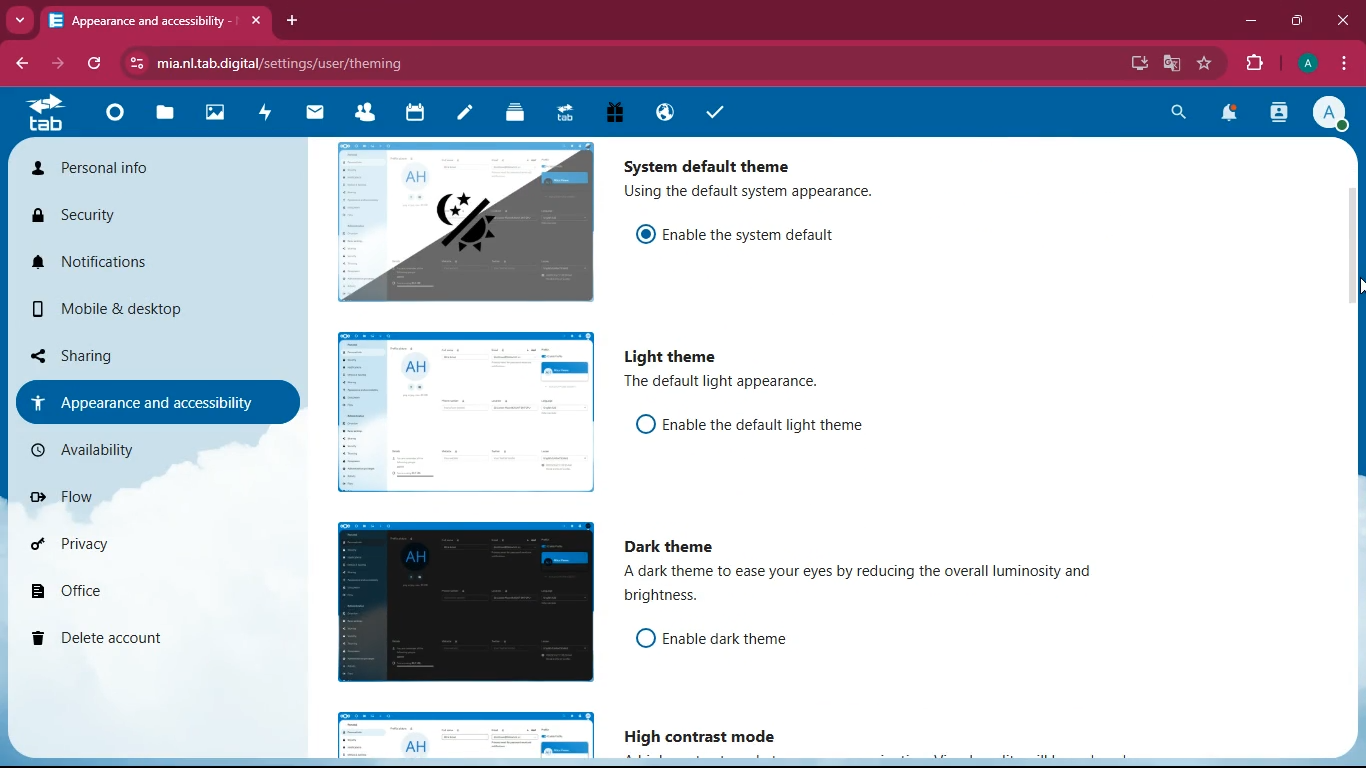  Describe the element at coordinates (95, 64) in the screenshot. I see `refresh` at that location.